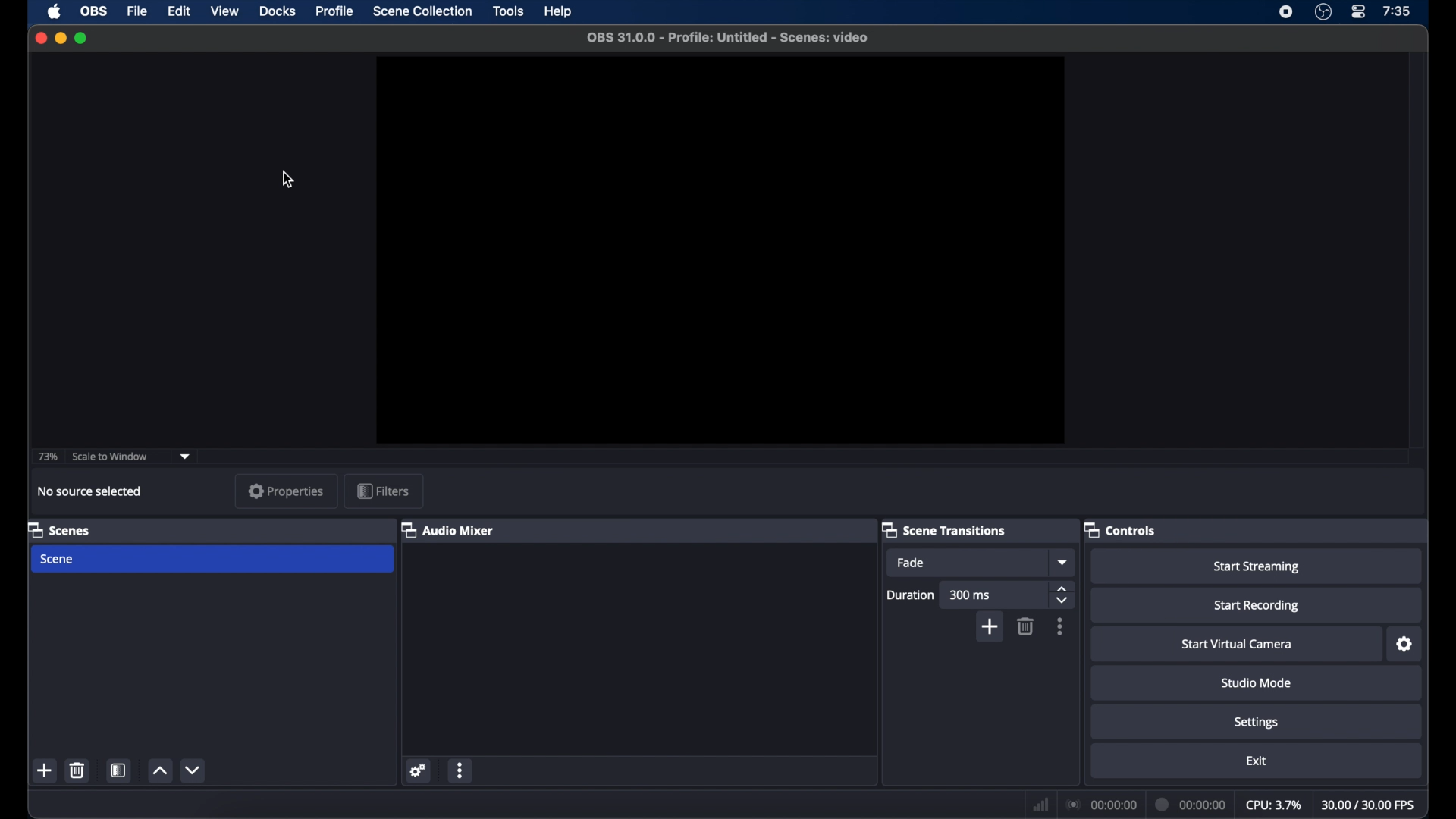 The width and height of the screenshot is (1456, 819). What do you see at coordinates (1103, 805) in the screenshot?
I see `connection` at bounding box center [1103, 805].